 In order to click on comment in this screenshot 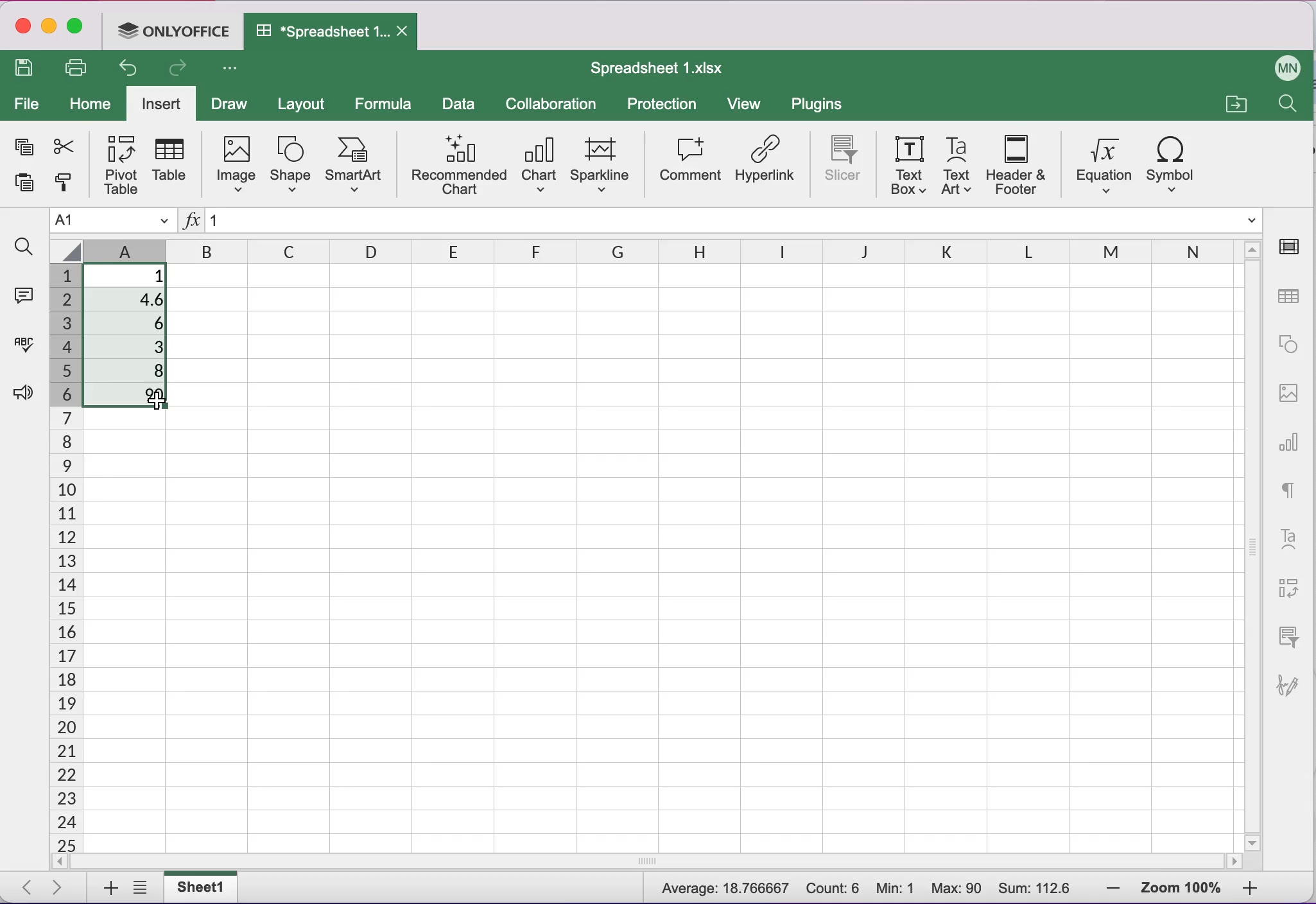, I will do `click(689, 164)`.